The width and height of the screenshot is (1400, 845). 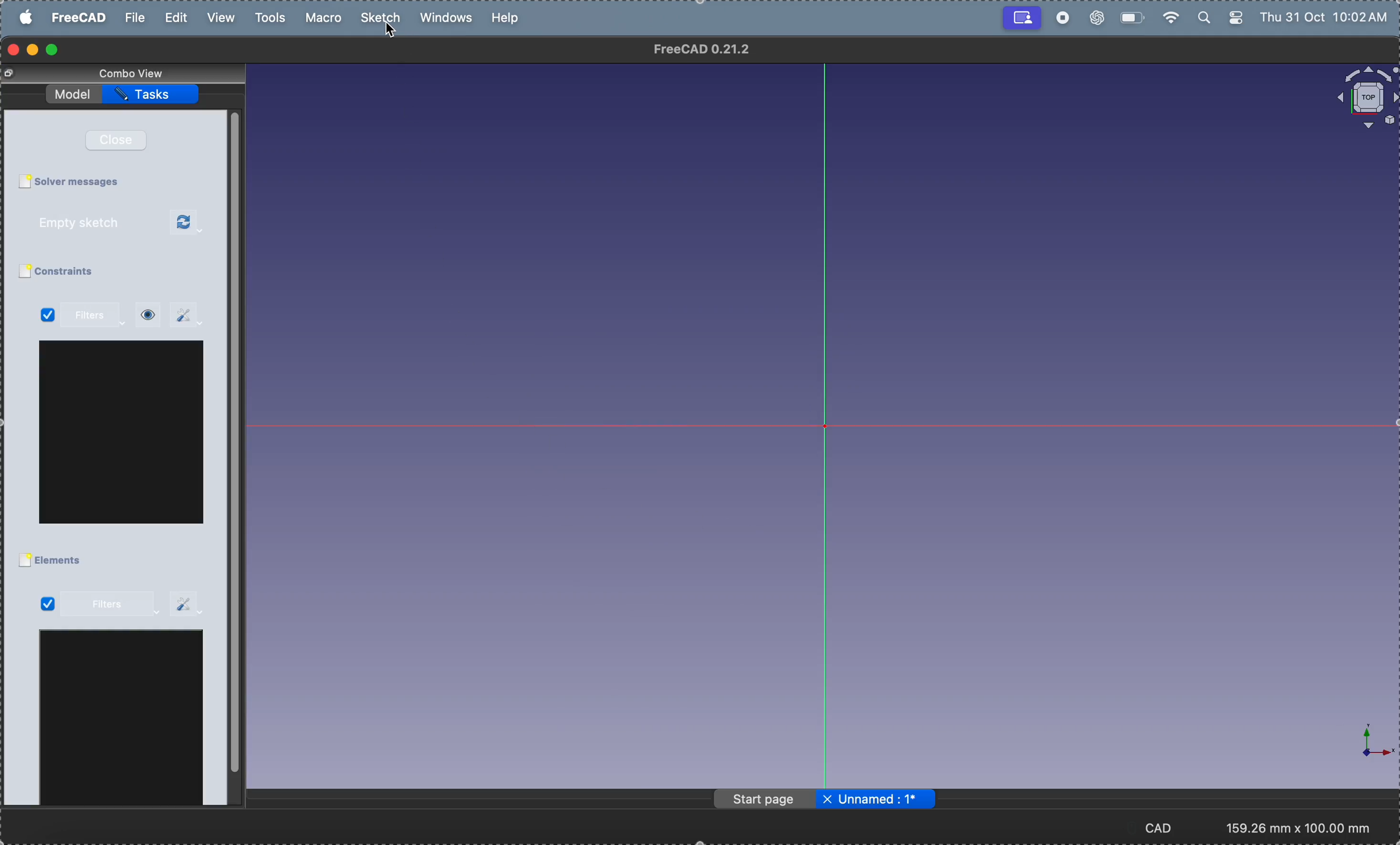 I want to click on axis, so click(x=1366, y=742).